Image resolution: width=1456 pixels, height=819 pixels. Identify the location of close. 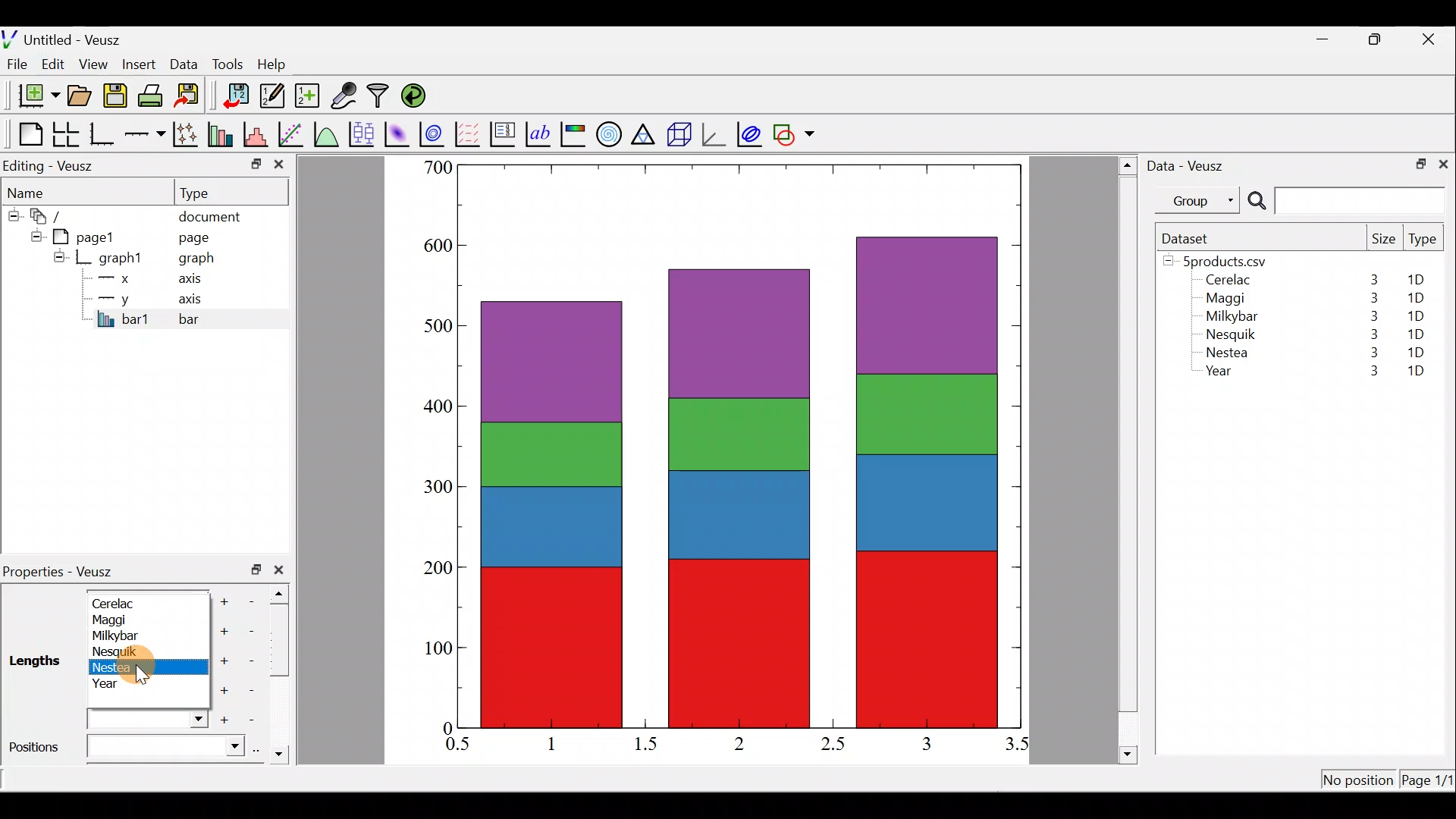
(282, 570).